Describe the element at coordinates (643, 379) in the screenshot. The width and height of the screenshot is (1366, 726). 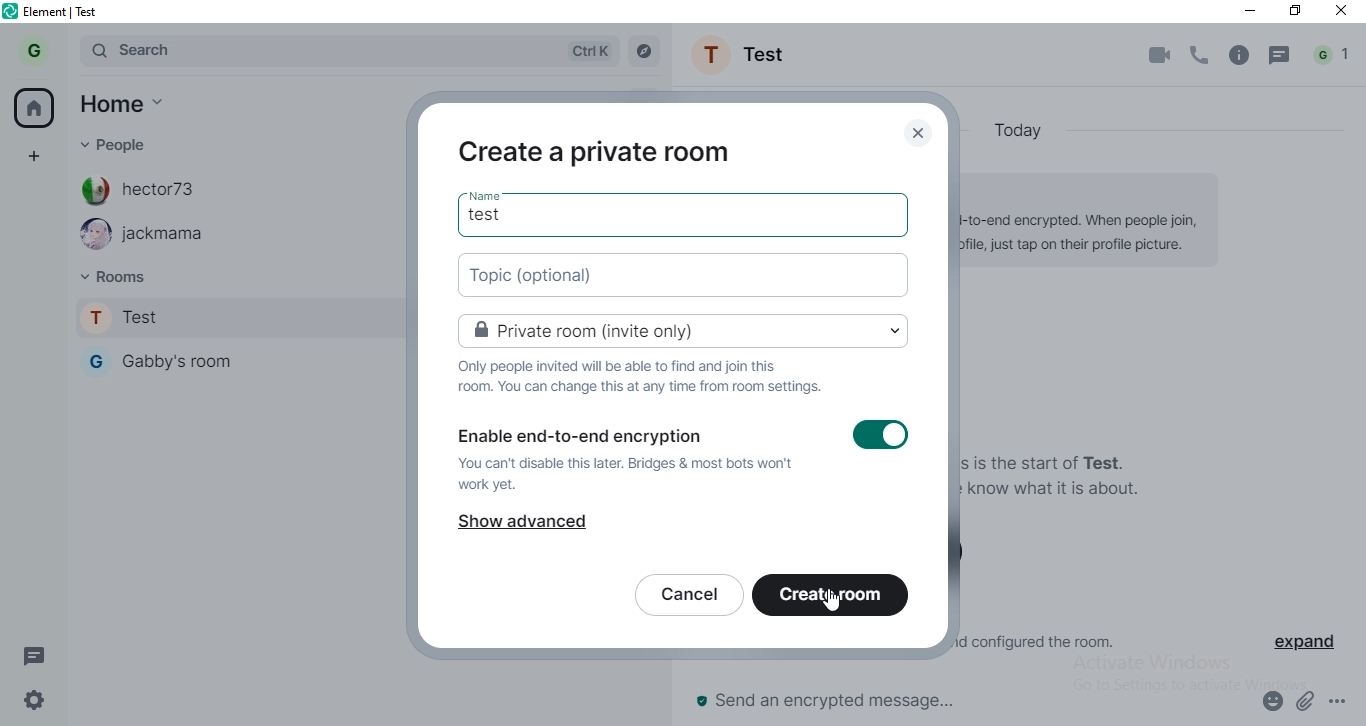
I see `text 1` at that location.